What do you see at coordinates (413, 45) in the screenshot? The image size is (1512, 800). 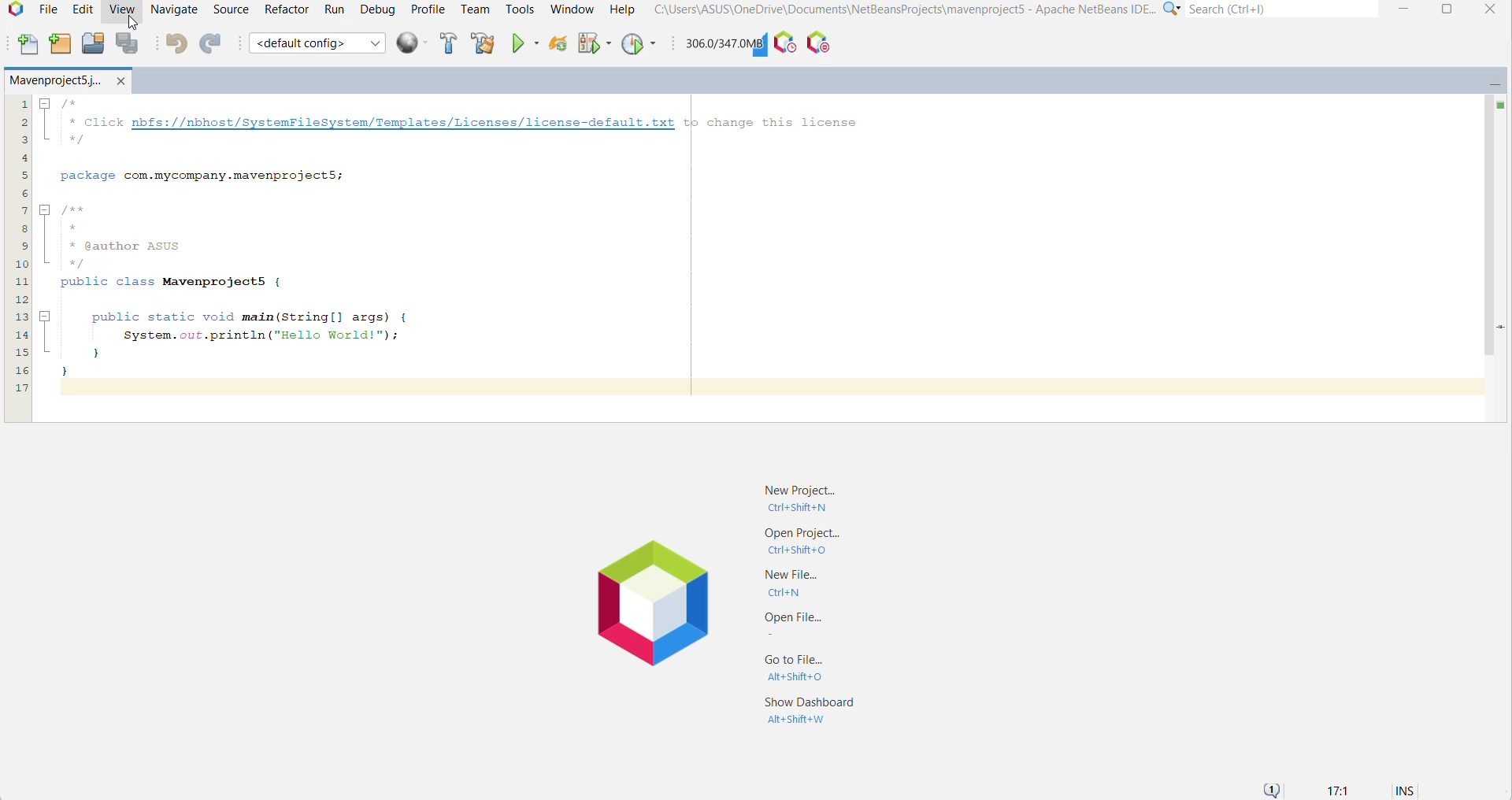 I see `Run` at bounding box center [413, 45].